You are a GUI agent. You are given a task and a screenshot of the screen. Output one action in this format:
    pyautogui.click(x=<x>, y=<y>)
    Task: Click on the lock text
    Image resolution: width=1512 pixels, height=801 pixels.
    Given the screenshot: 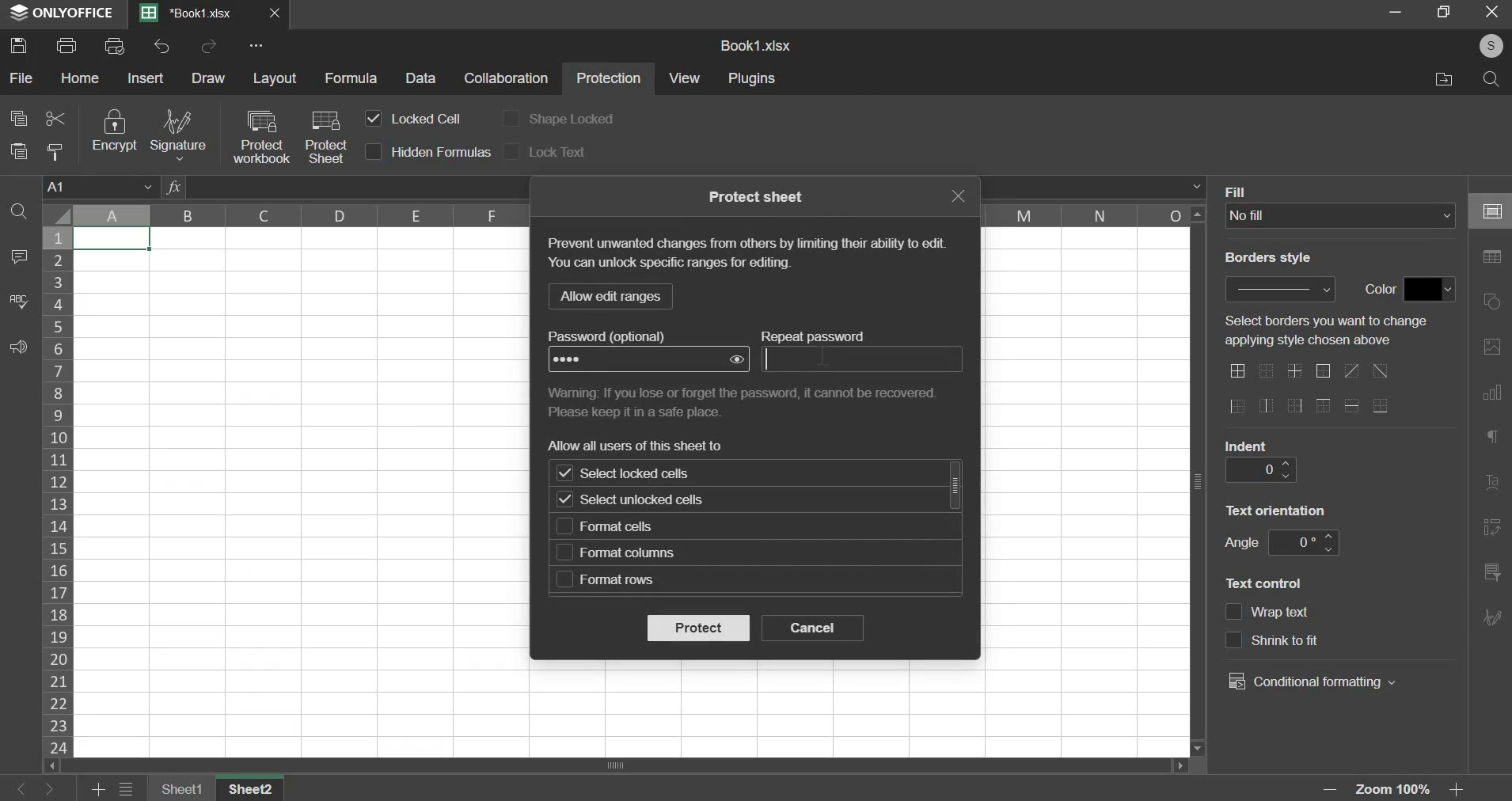 What is the action you would take?
    pyautogui.click(x=557, y=151)
    